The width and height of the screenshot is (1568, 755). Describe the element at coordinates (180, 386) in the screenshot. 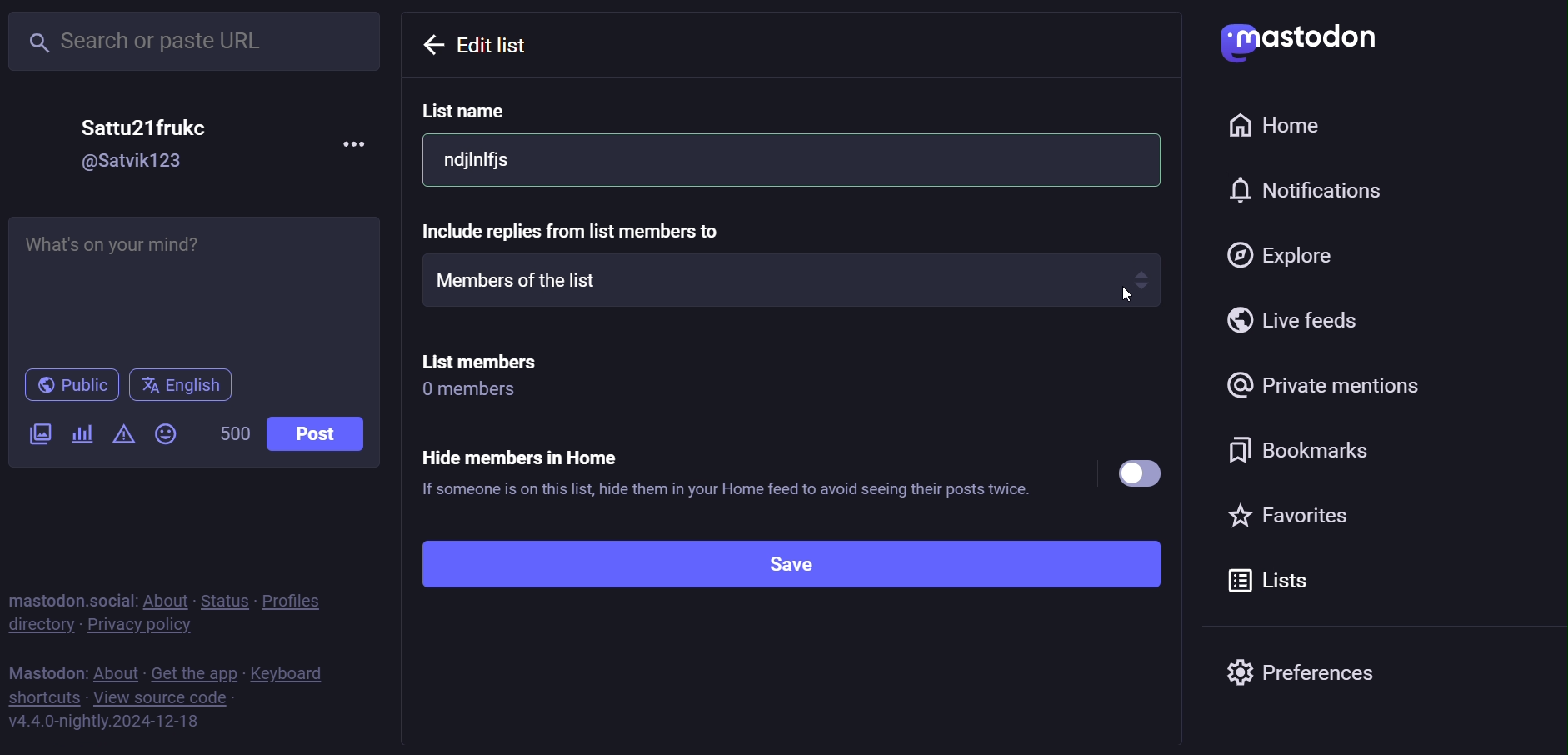

I see `english` at that location.